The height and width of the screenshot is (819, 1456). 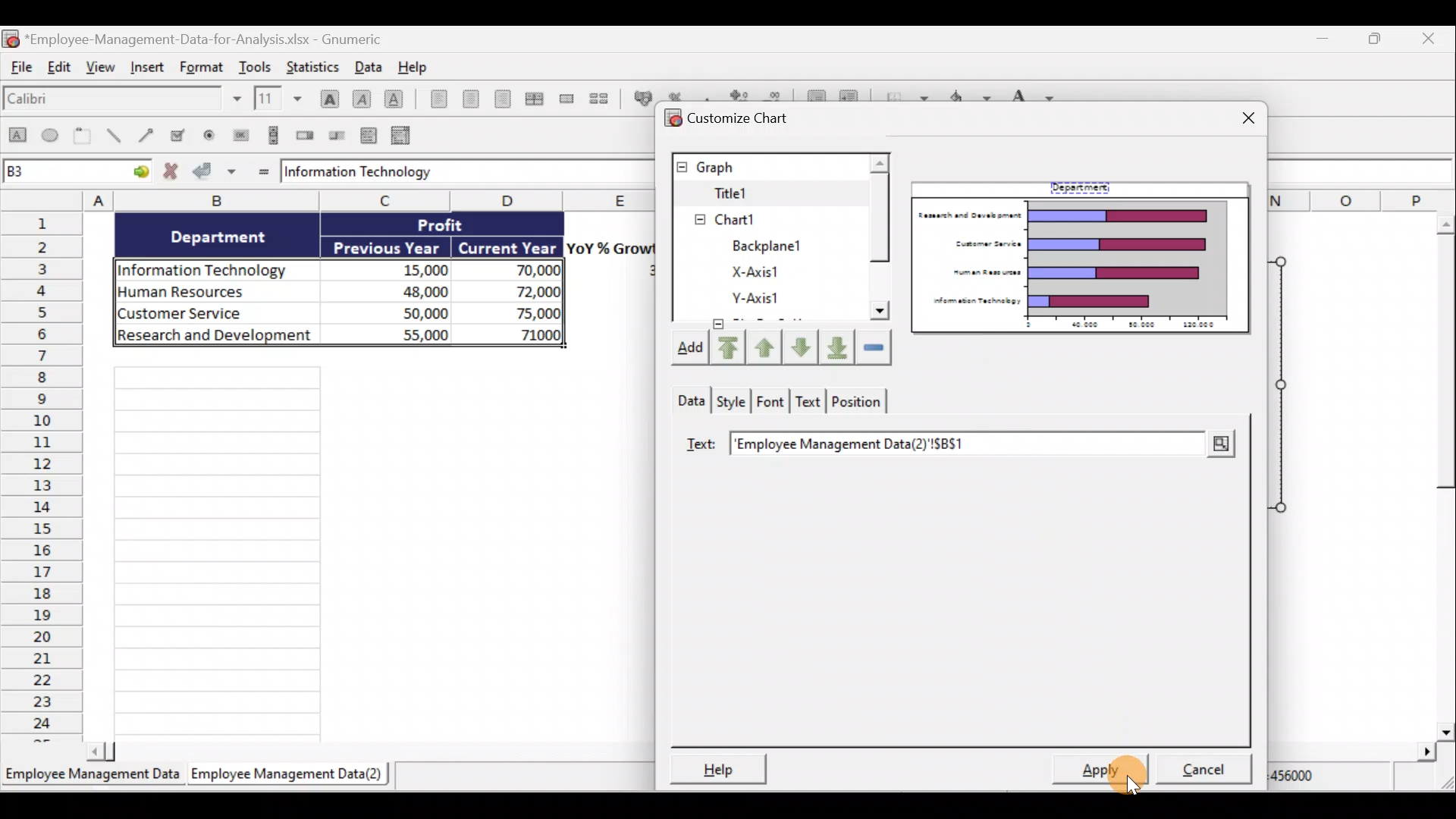 What do you see at coordinates (752, 219) in the screenshot?
I see `Backplane1` at bounding box center [752, 219].